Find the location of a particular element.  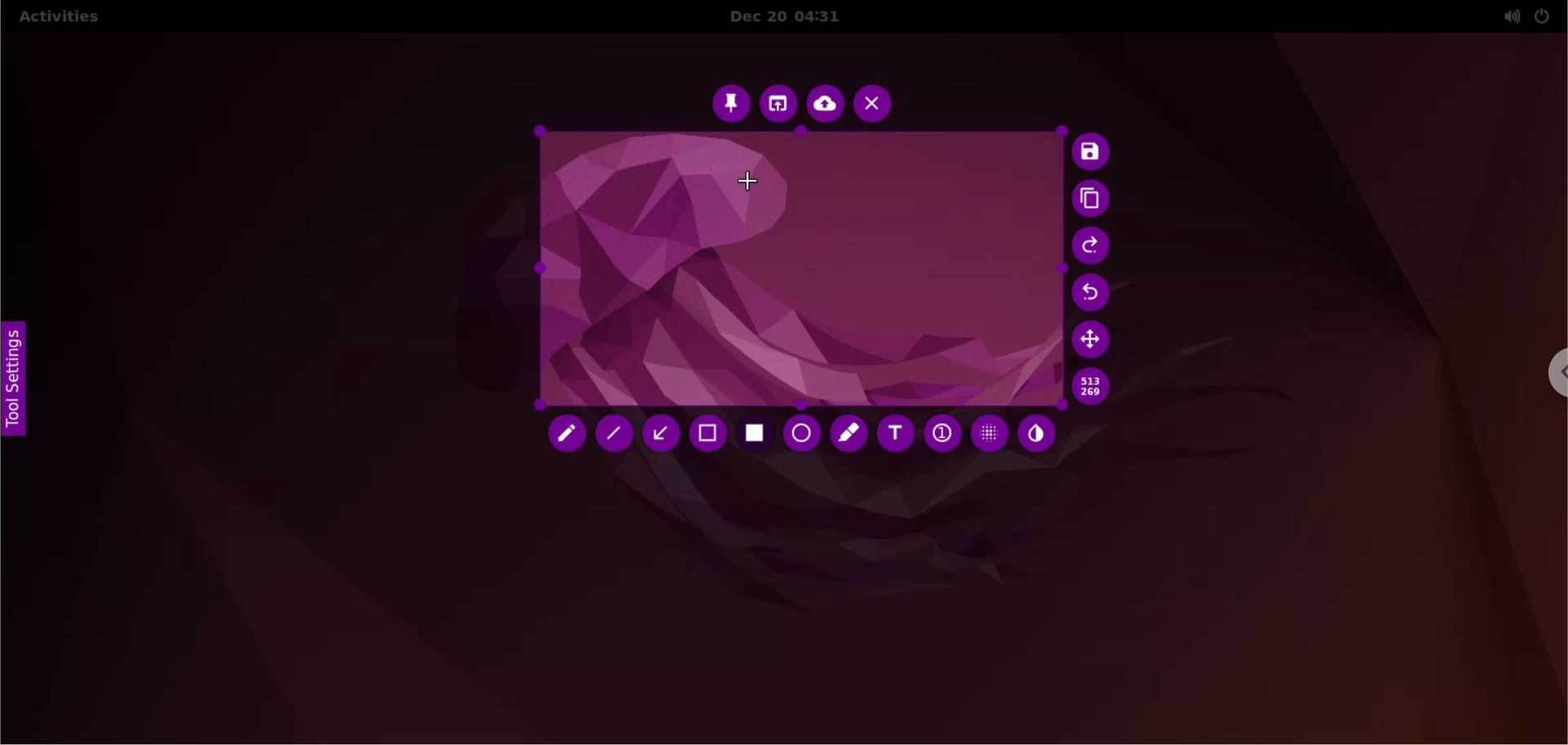

selection tool is located at coordinates (707, 436).